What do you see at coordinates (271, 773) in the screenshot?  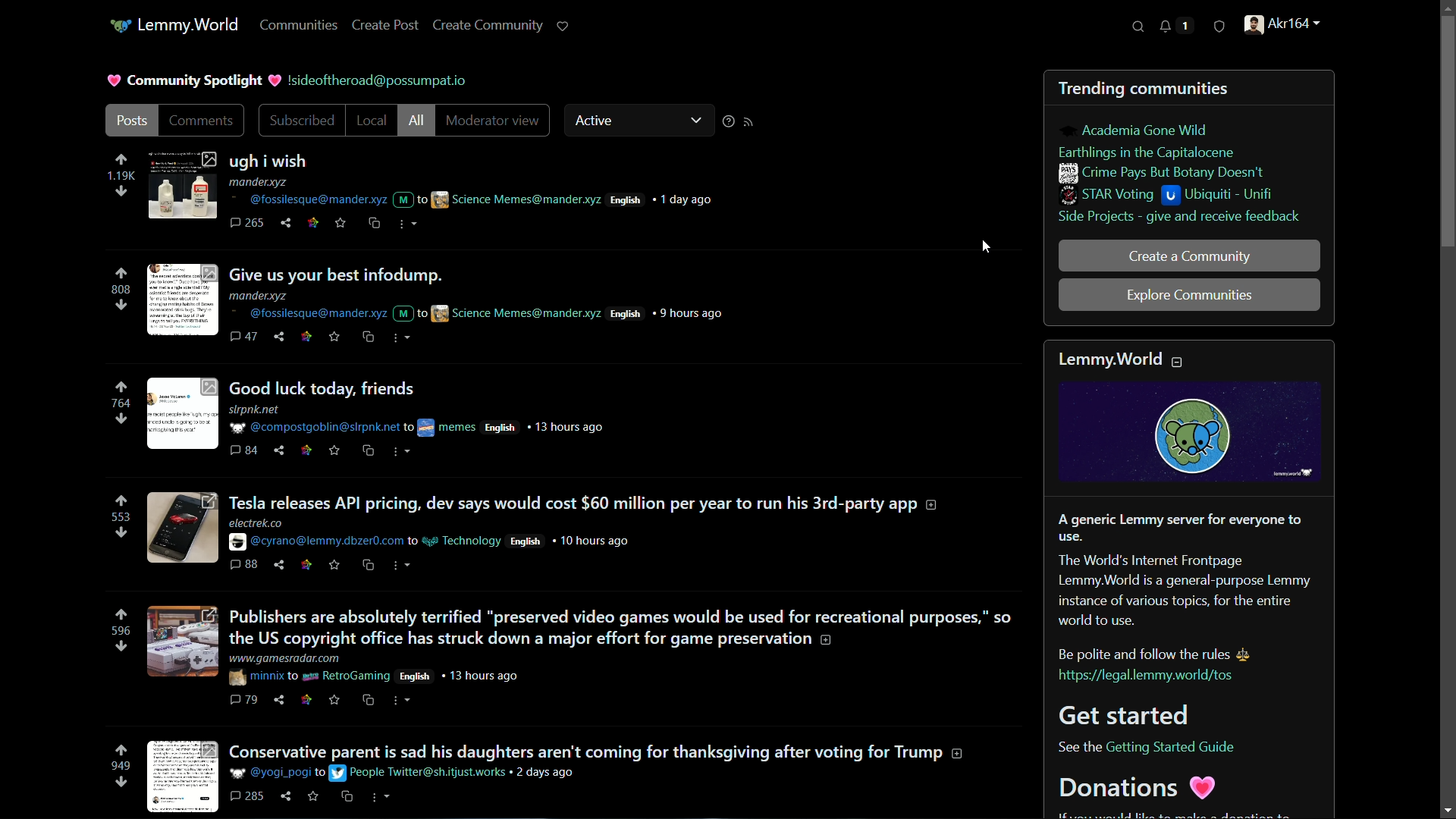 I see `@yogi_pogi` at bounding box center [271, 773].